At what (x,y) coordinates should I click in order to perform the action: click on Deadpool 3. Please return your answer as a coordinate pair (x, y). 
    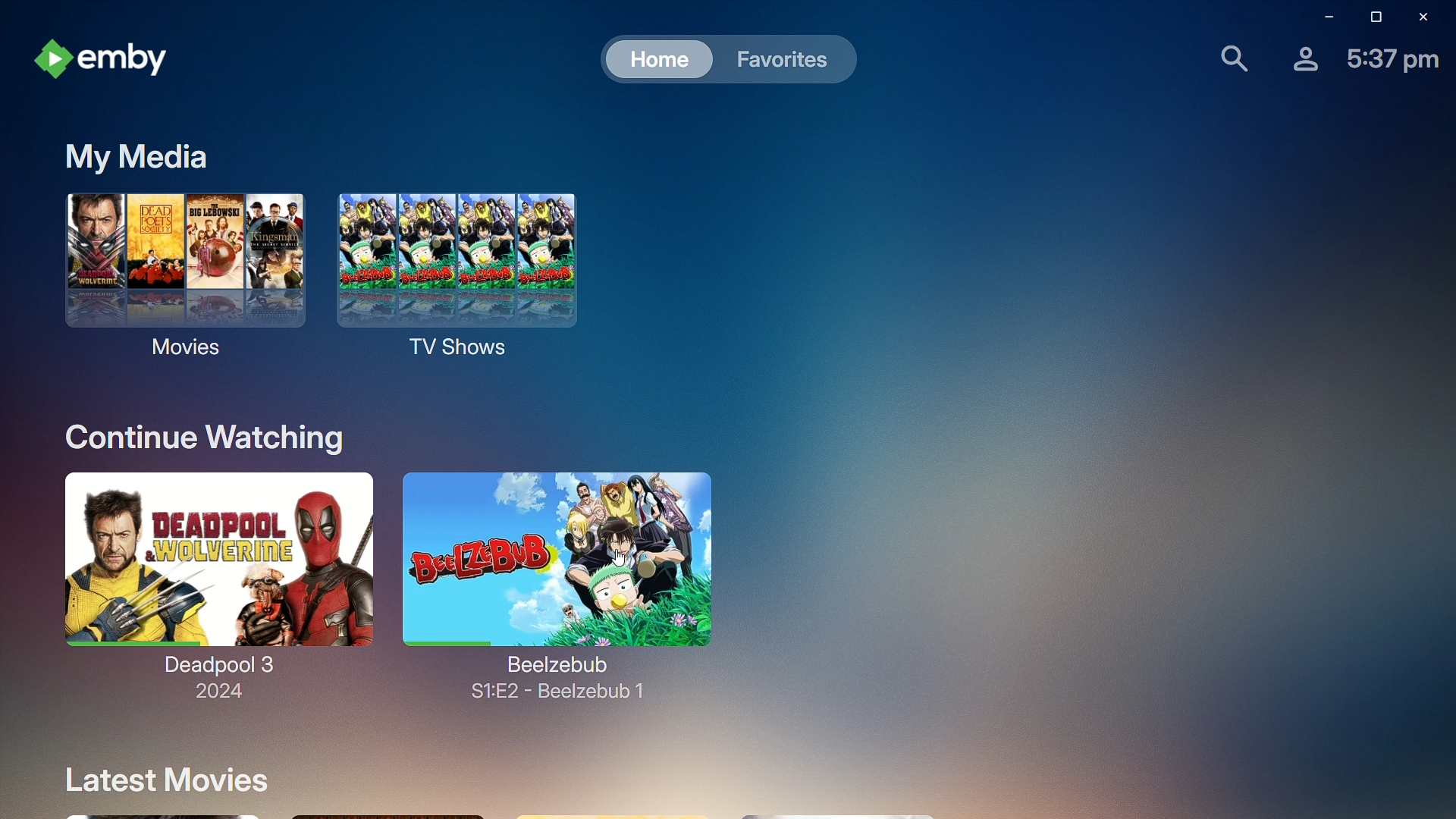
    Looking at the image, I should click on (217, 570).